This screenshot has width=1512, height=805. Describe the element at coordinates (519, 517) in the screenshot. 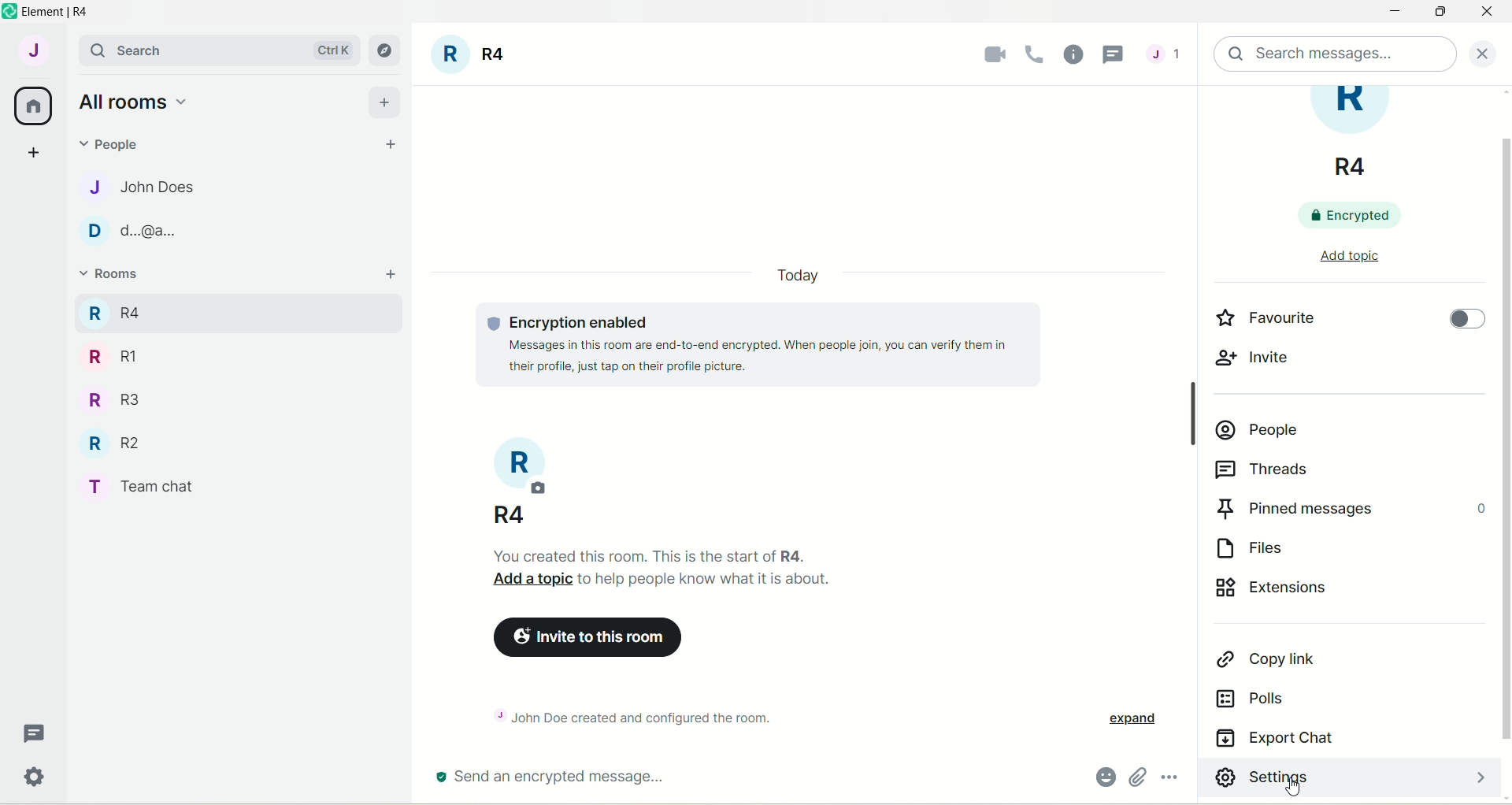

I see `Add a photo, so..` at that location.